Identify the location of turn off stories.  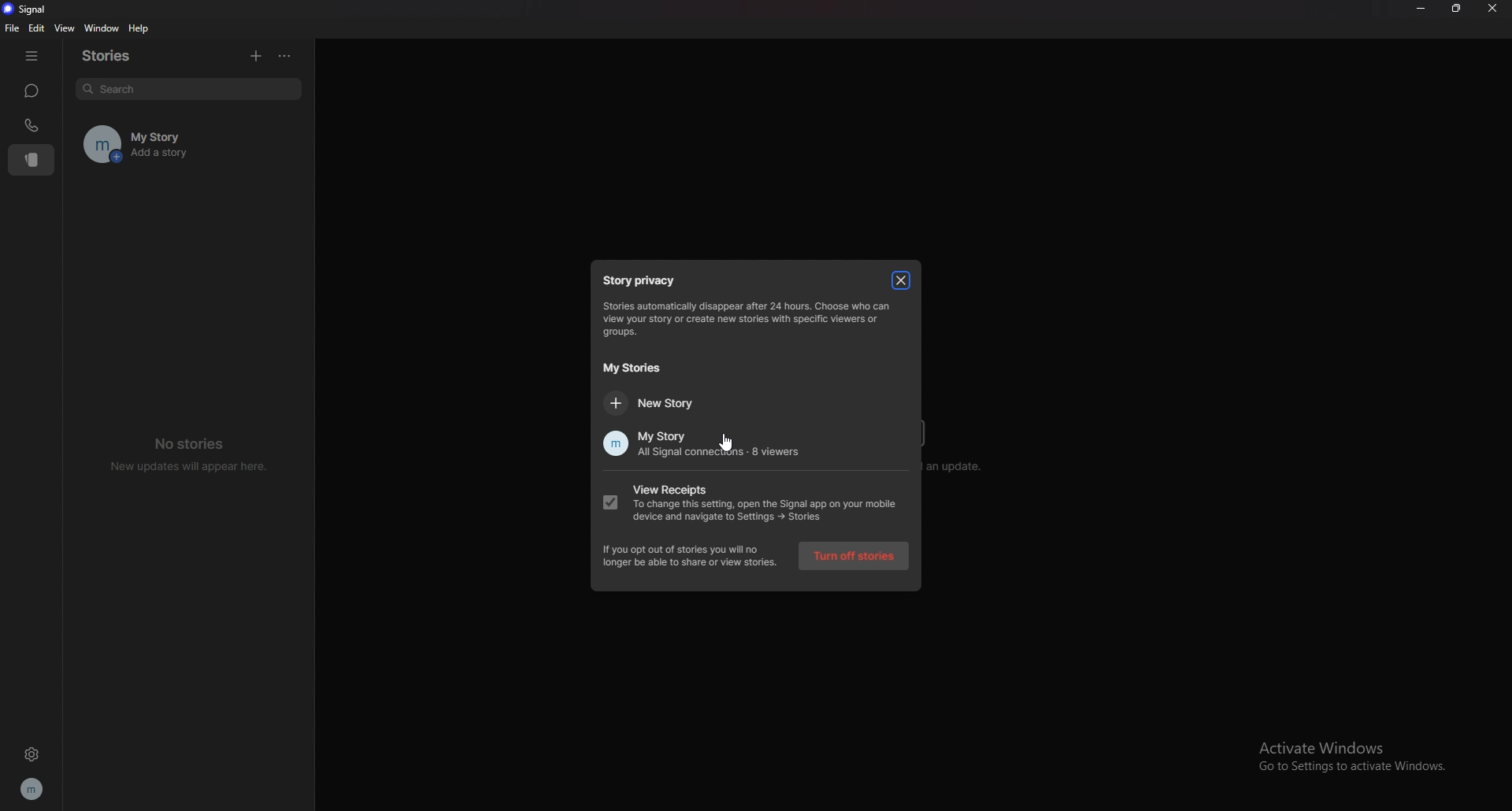
(855, 556).